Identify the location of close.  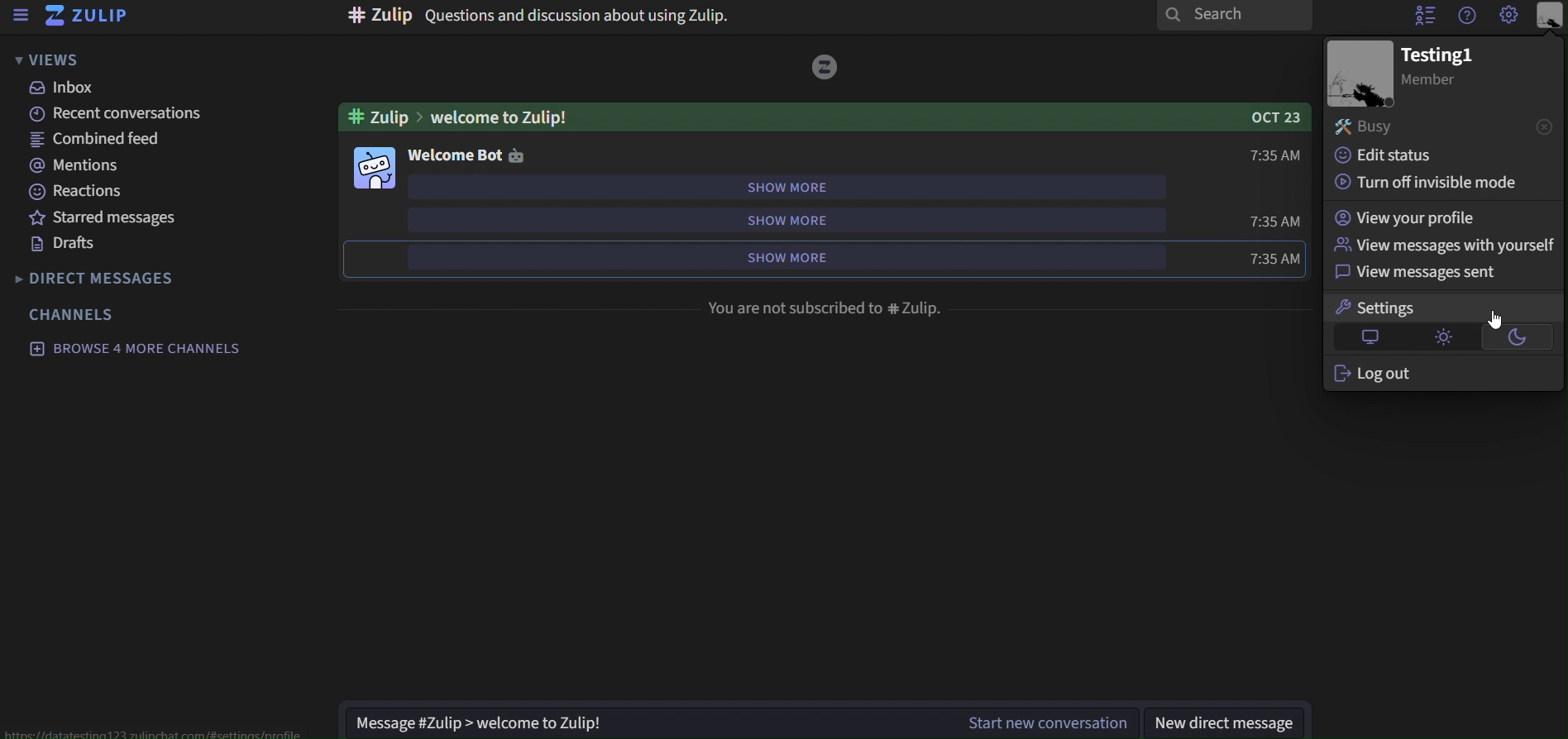
(1544, 125).